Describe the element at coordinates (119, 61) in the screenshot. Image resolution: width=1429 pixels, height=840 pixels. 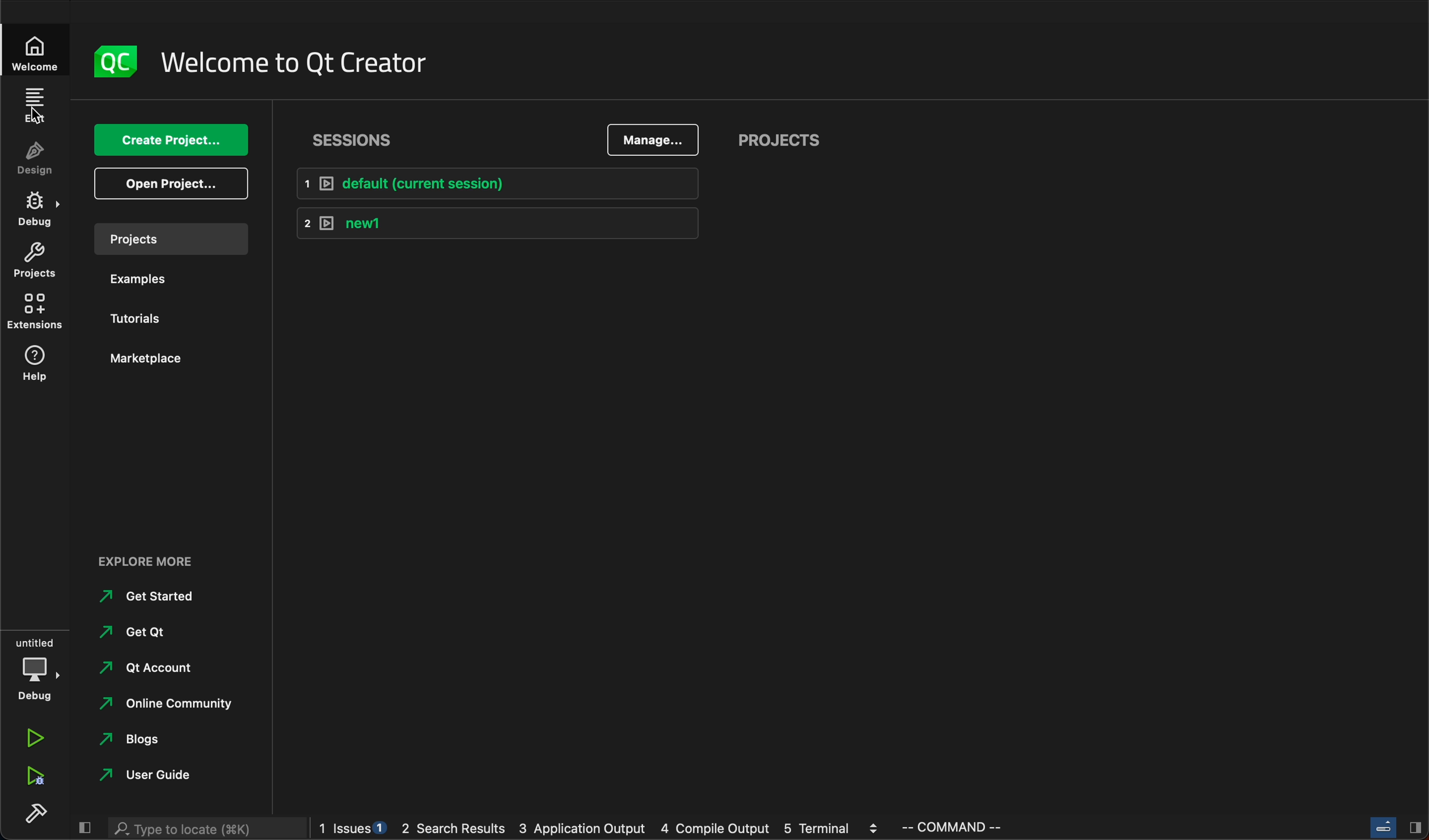
I see `logo` at that location.